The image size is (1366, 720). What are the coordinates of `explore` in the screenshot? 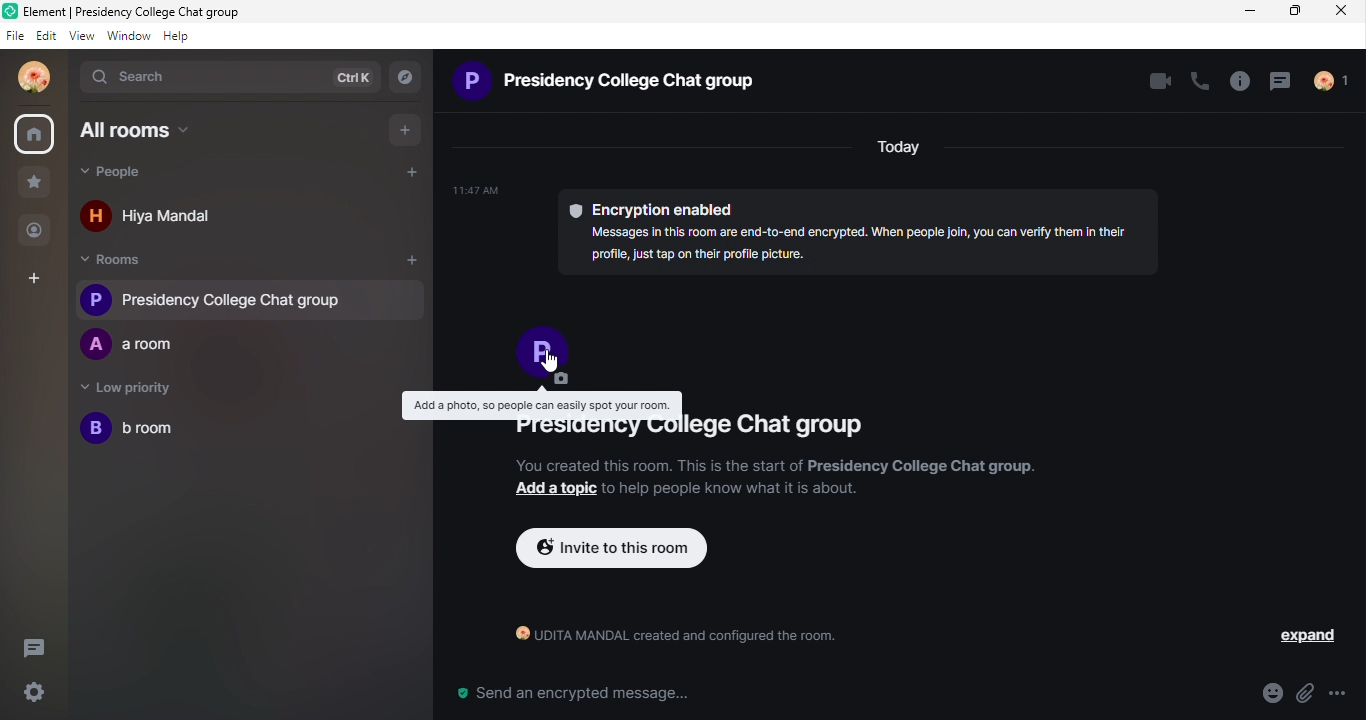 It's located at (409, 76).